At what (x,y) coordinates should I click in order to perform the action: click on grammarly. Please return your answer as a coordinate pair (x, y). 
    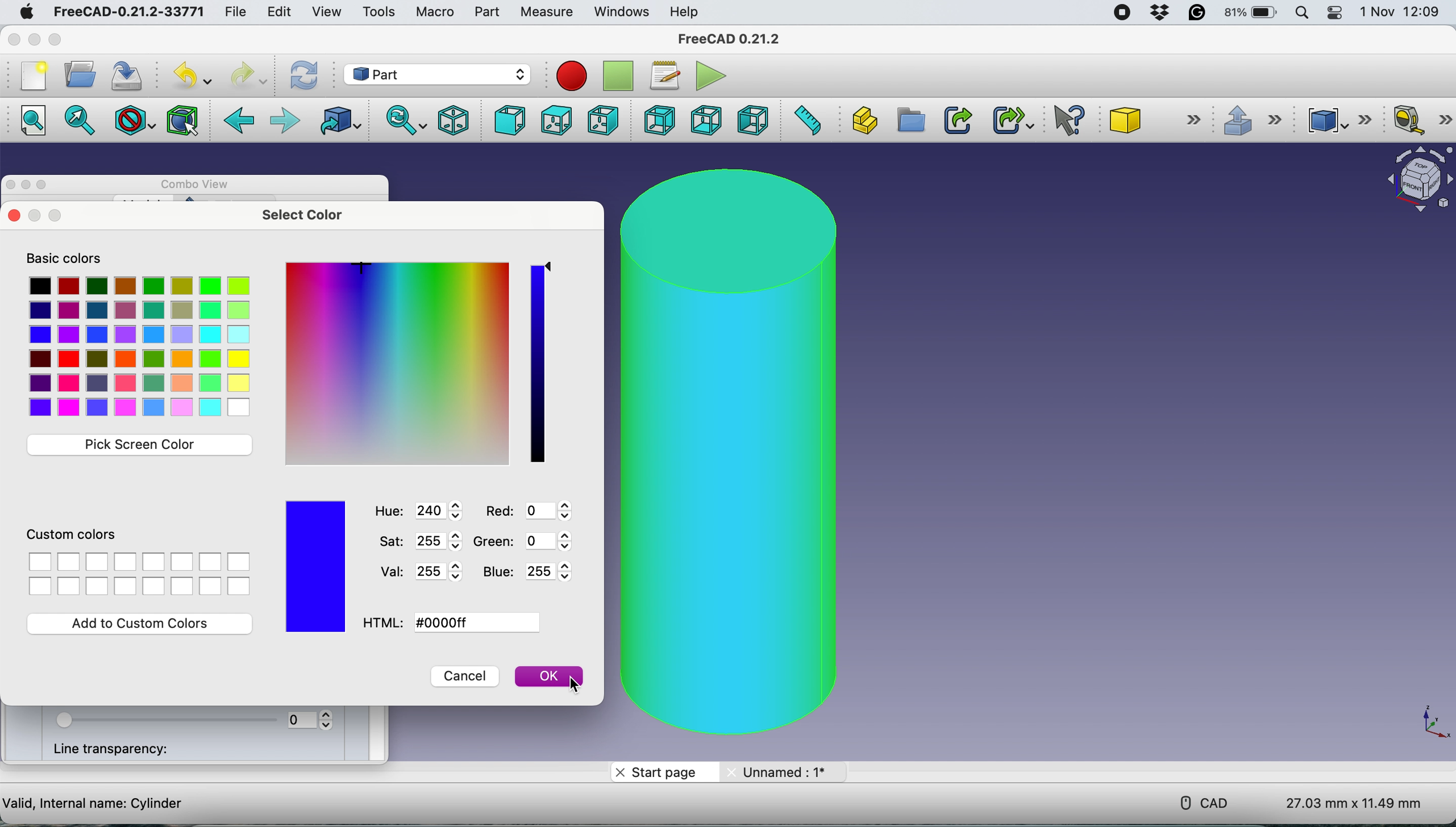
    Looking at the image, I should click on (1197, 14).